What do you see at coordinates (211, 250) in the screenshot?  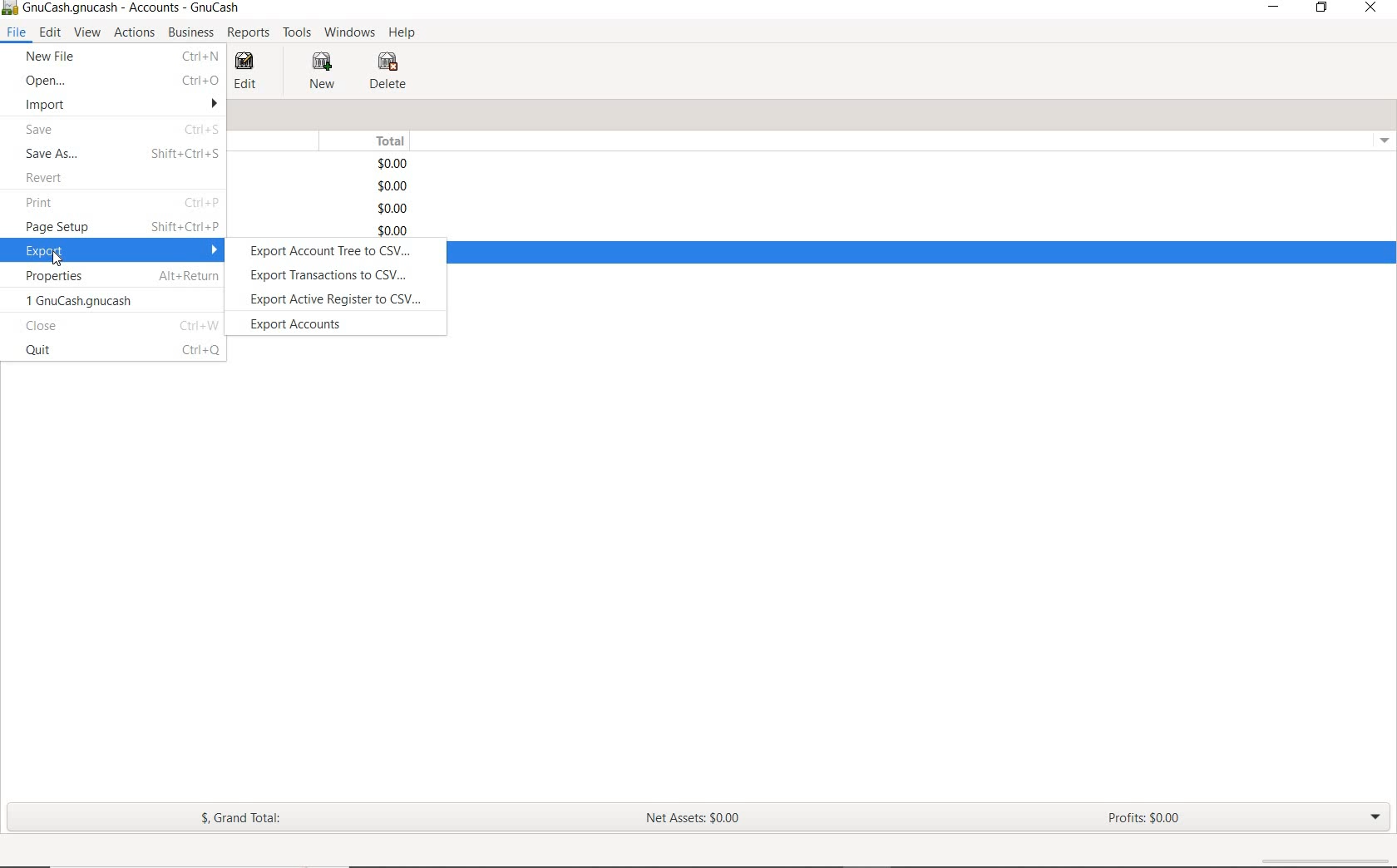 I see `drop down` at bounding box center [211, 250].